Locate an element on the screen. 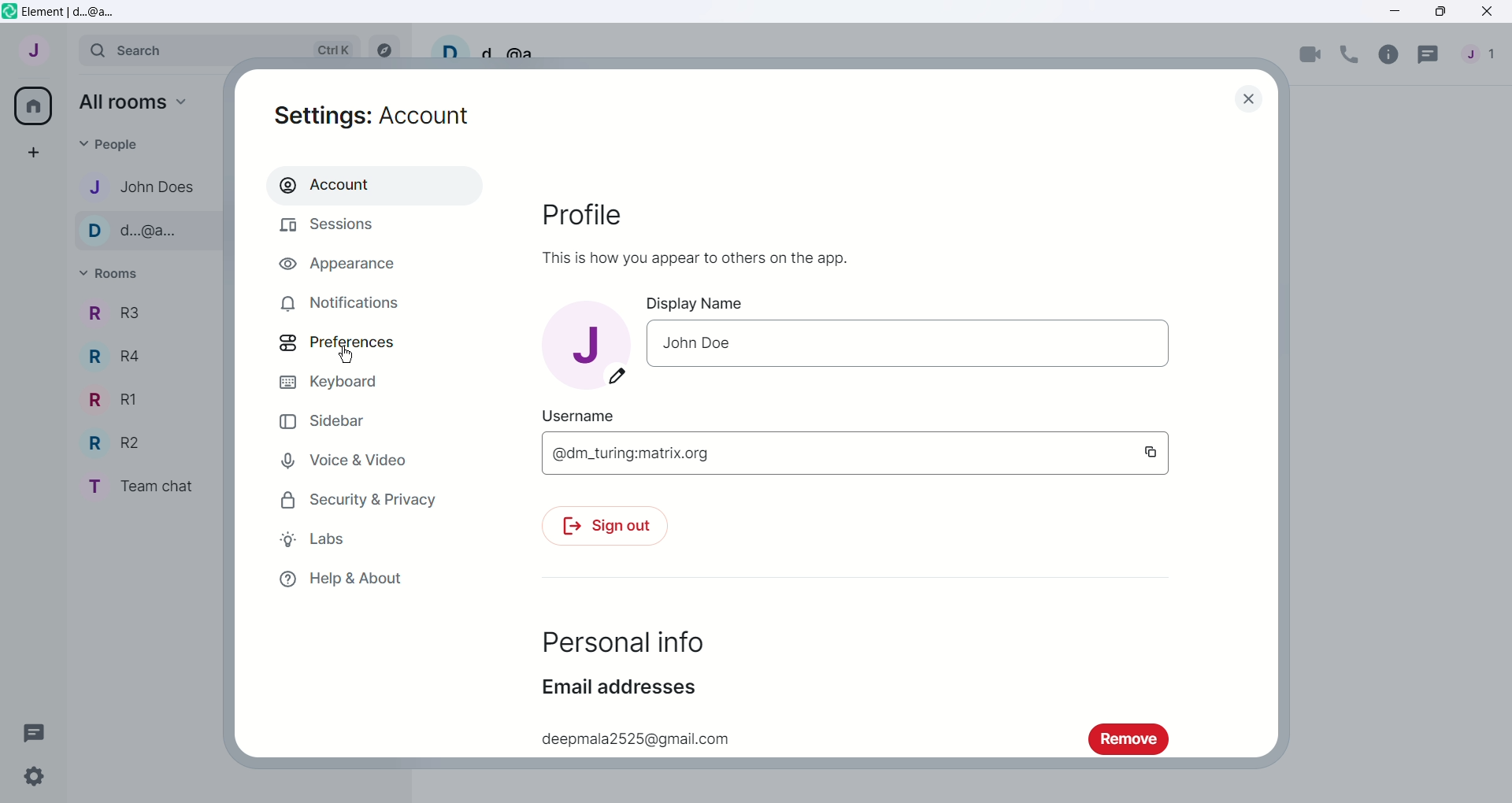  Threads is located at coordinates (1429, 57).